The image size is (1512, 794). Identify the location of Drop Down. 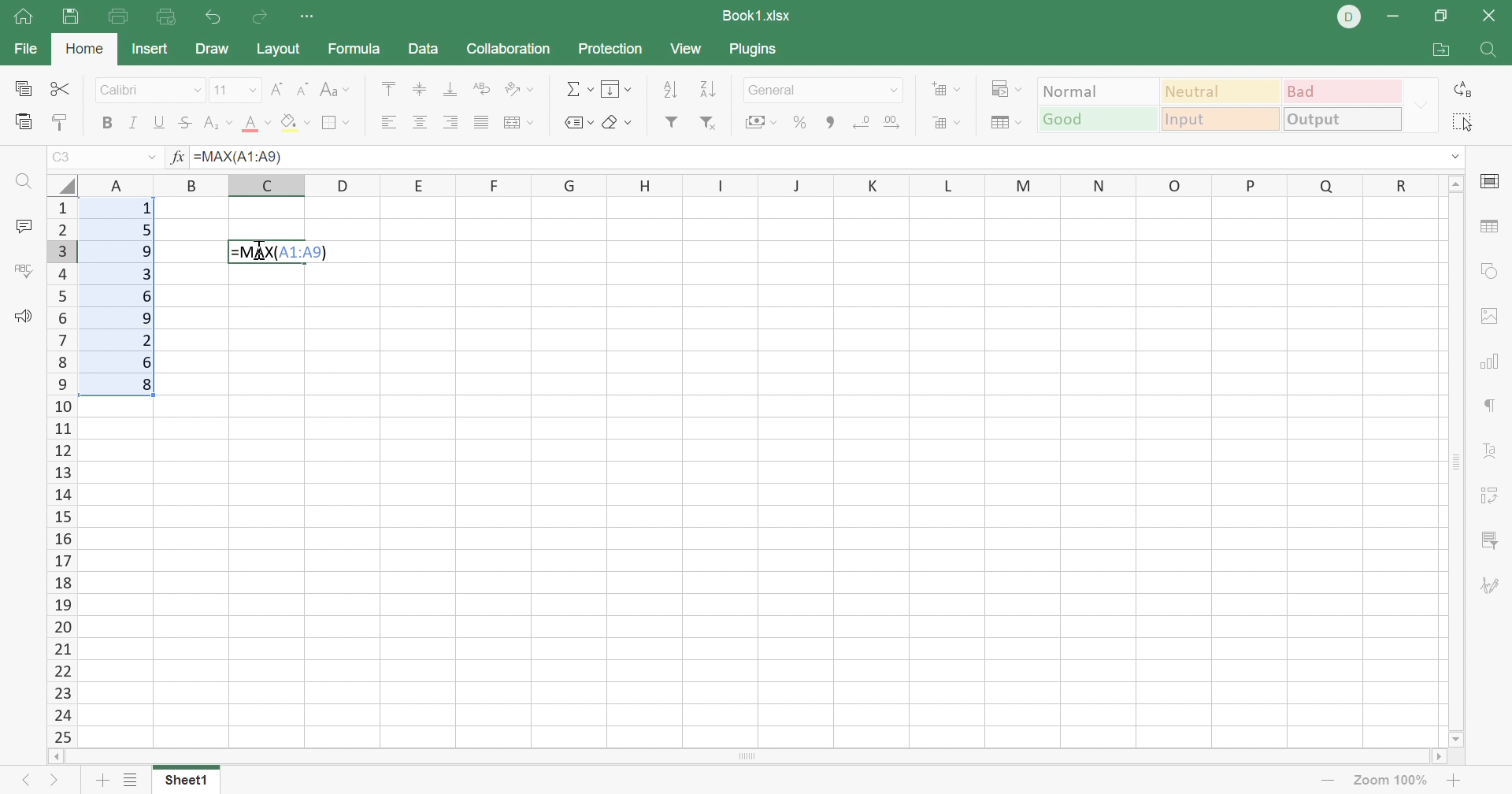
(1421, 106).